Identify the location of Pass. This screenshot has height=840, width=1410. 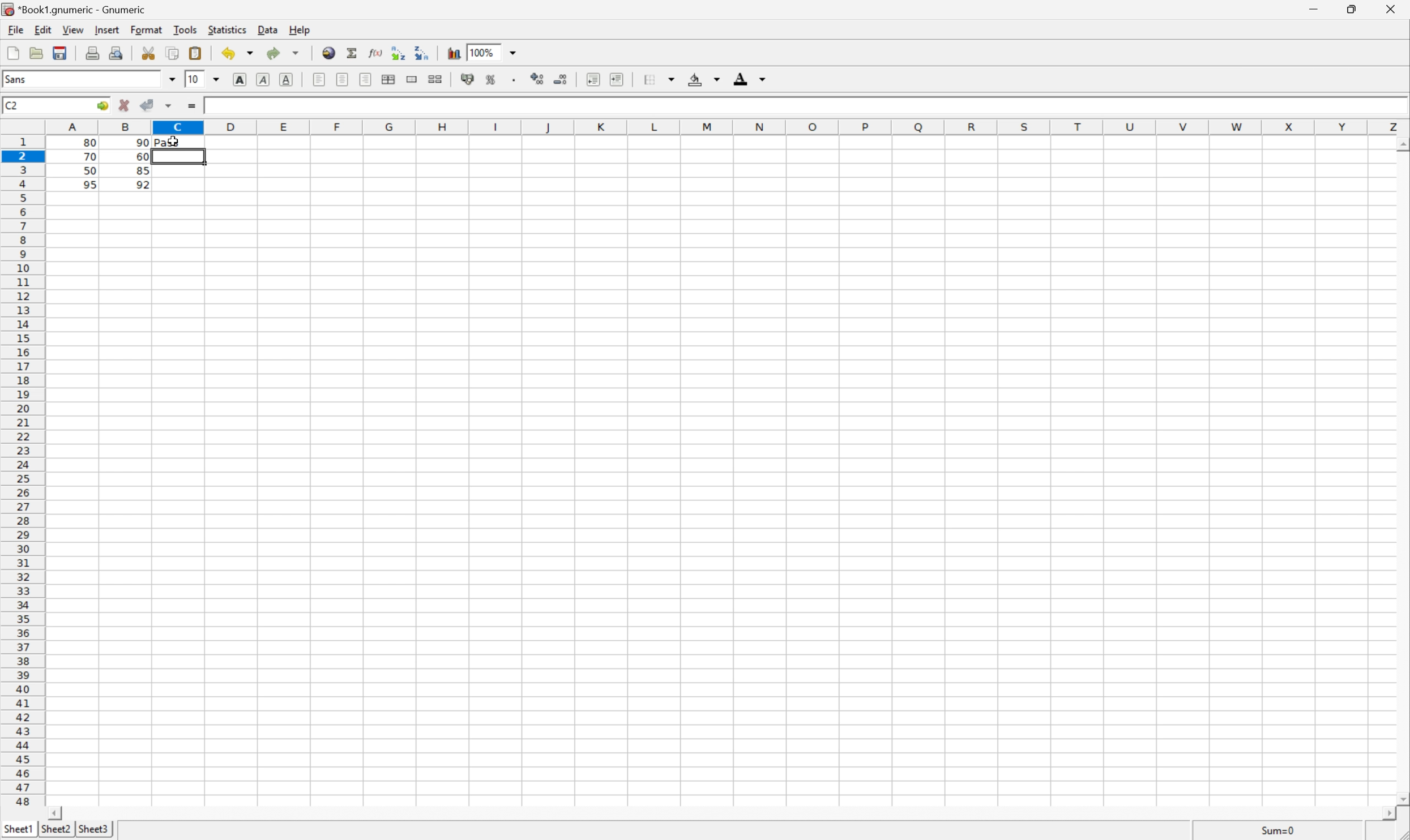
(178, 140).